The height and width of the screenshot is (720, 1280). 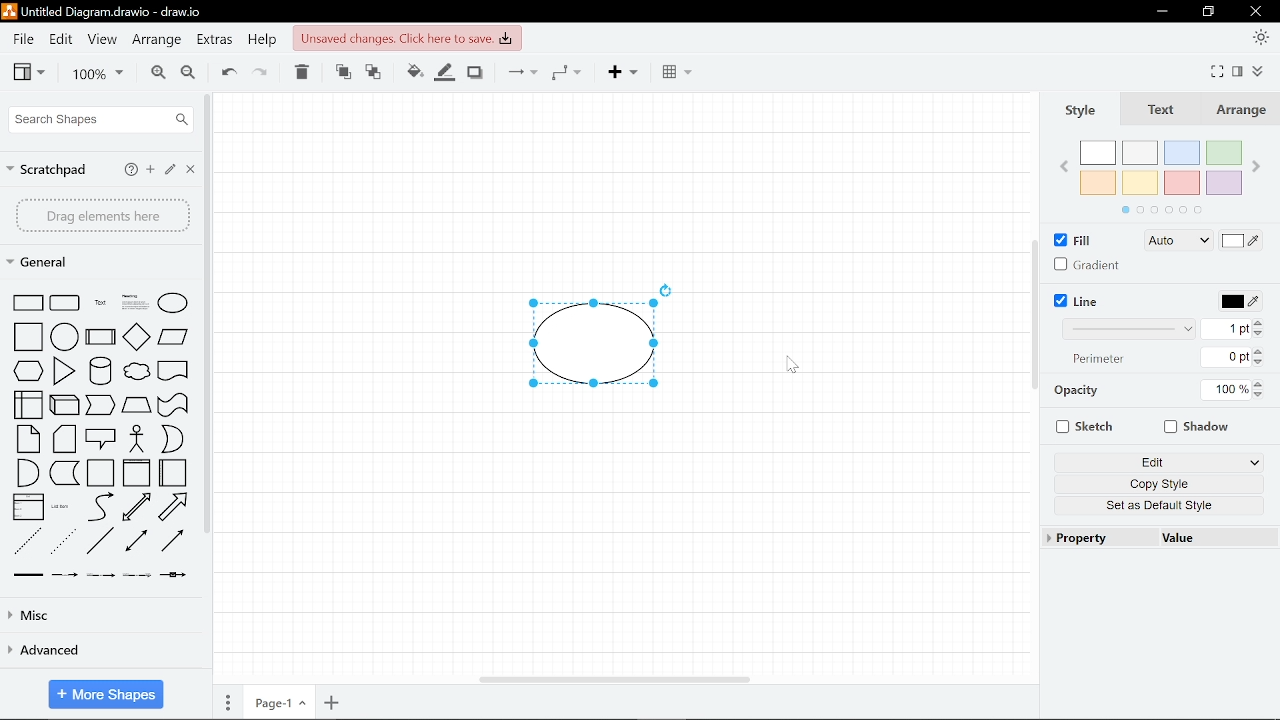 What do you see at coordinates (100, 337) in the screenshot?
I see `process` at bounding box center [100, 337].